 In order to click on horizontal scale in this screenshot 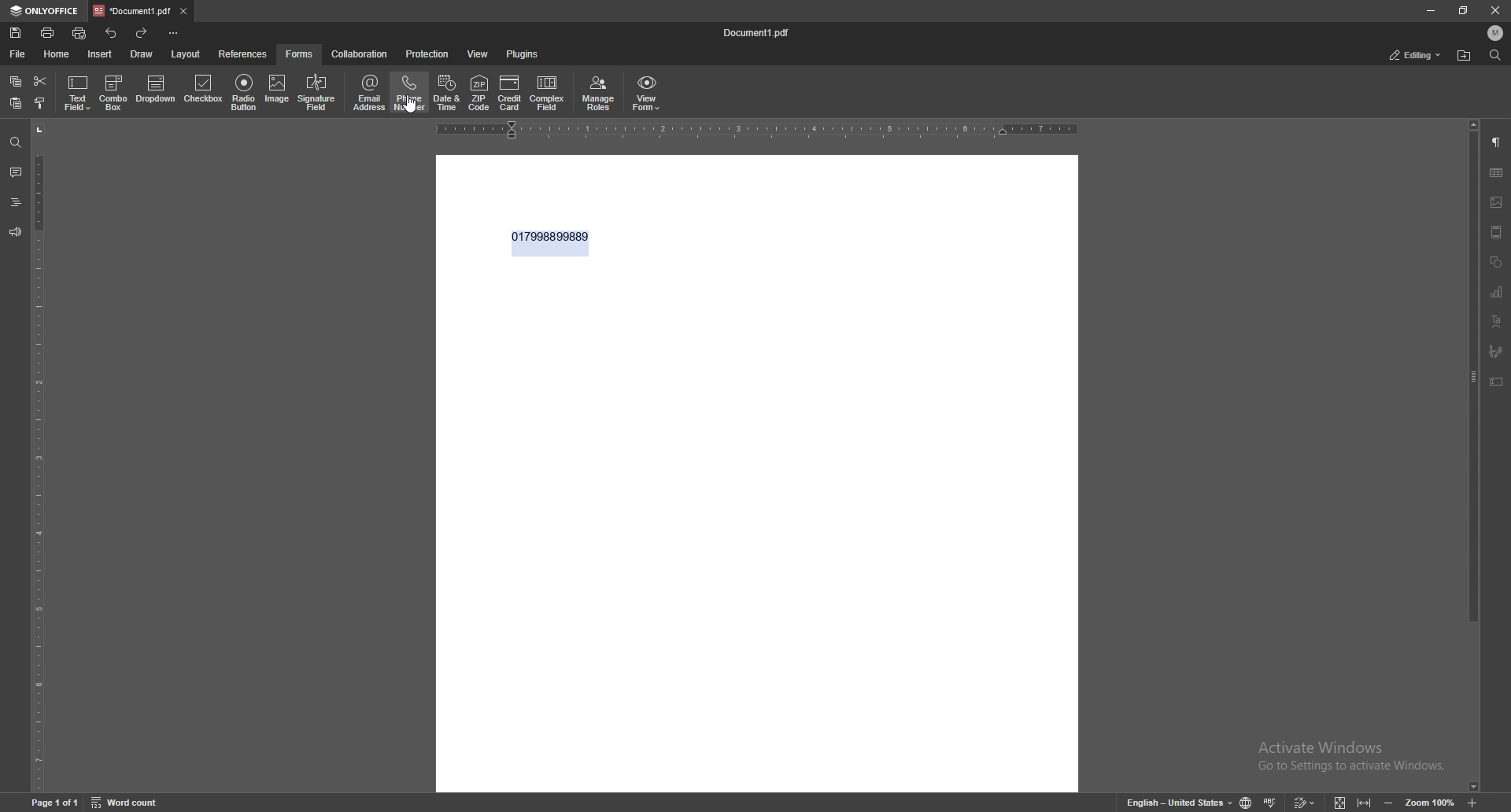, I will do `click(758, 130)`.